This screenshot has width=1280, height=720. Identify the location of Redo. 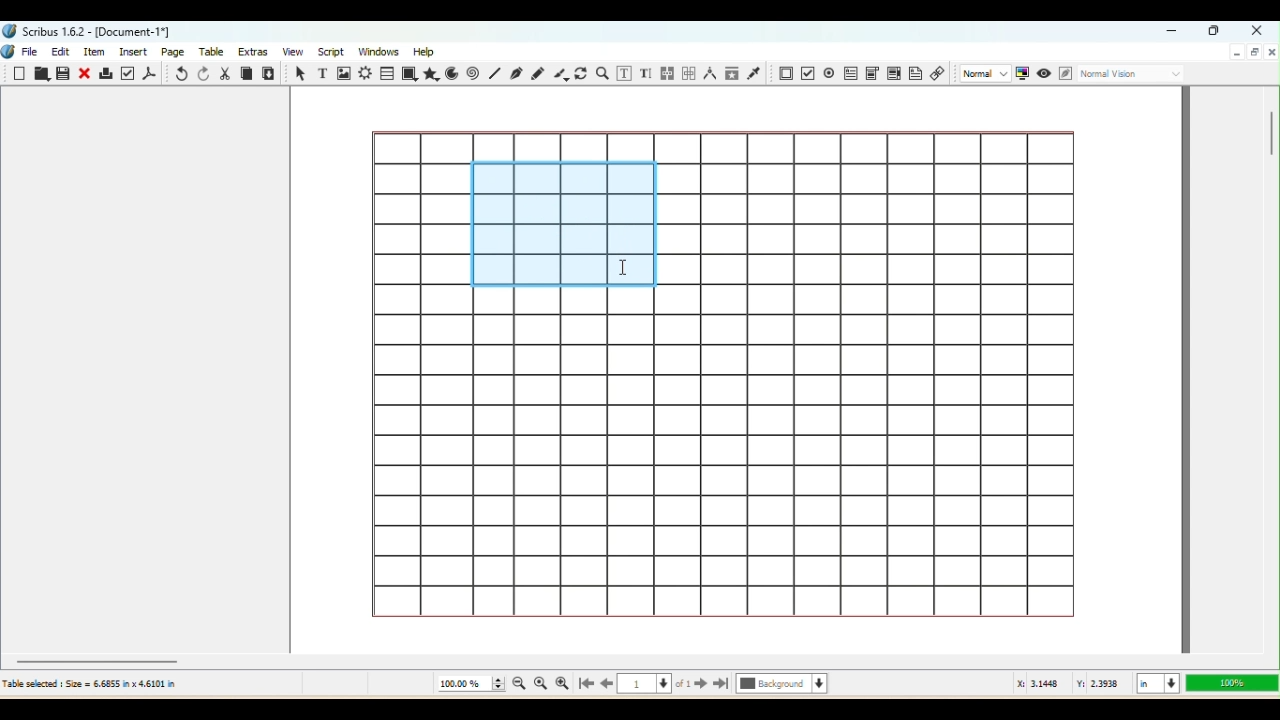
(202, 74).